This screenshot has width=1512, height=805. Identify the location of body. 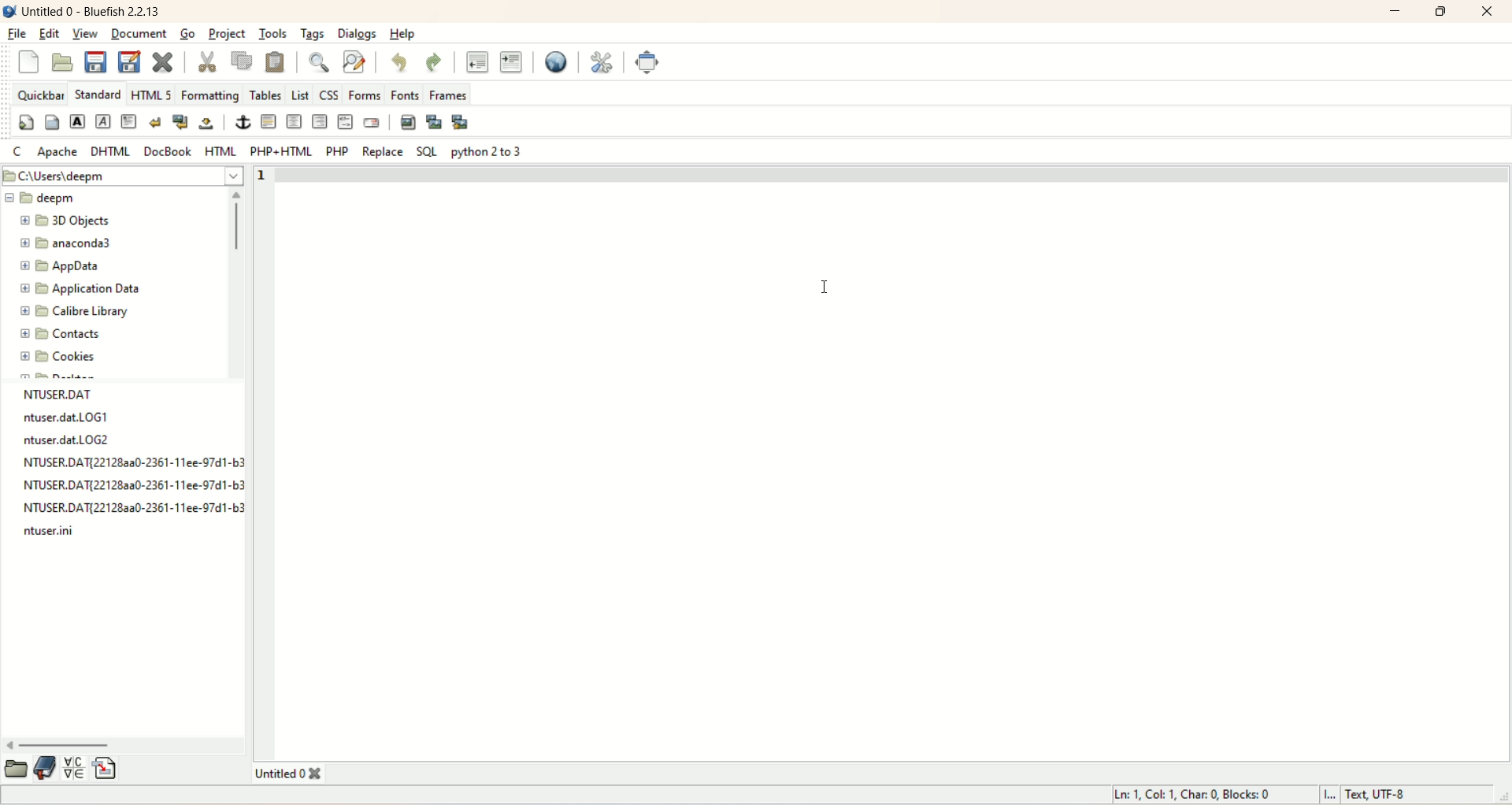
(50, 124).